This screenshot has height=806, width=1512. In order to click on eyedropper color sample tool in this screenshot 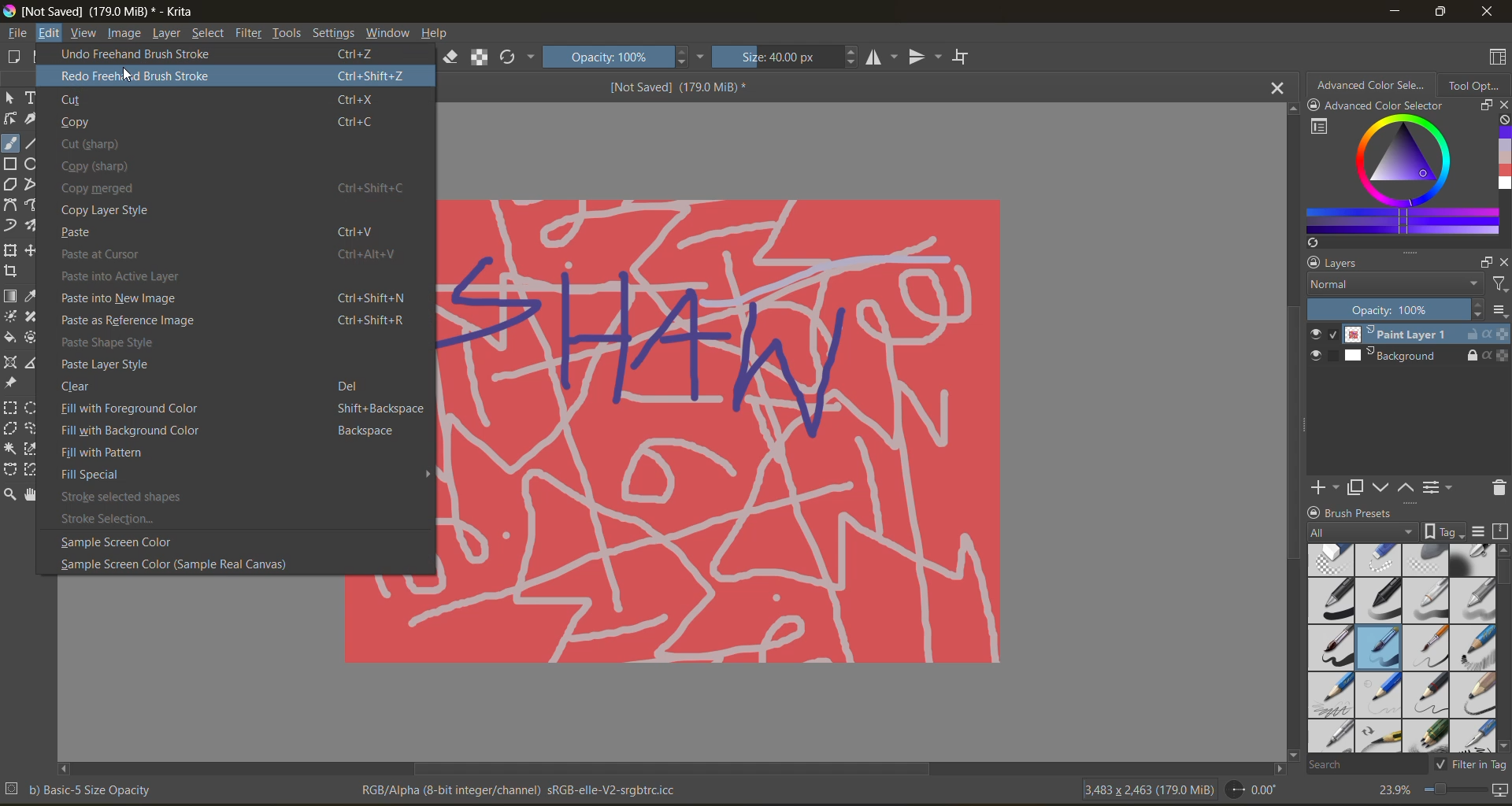, I will do `click(33, 298)`.